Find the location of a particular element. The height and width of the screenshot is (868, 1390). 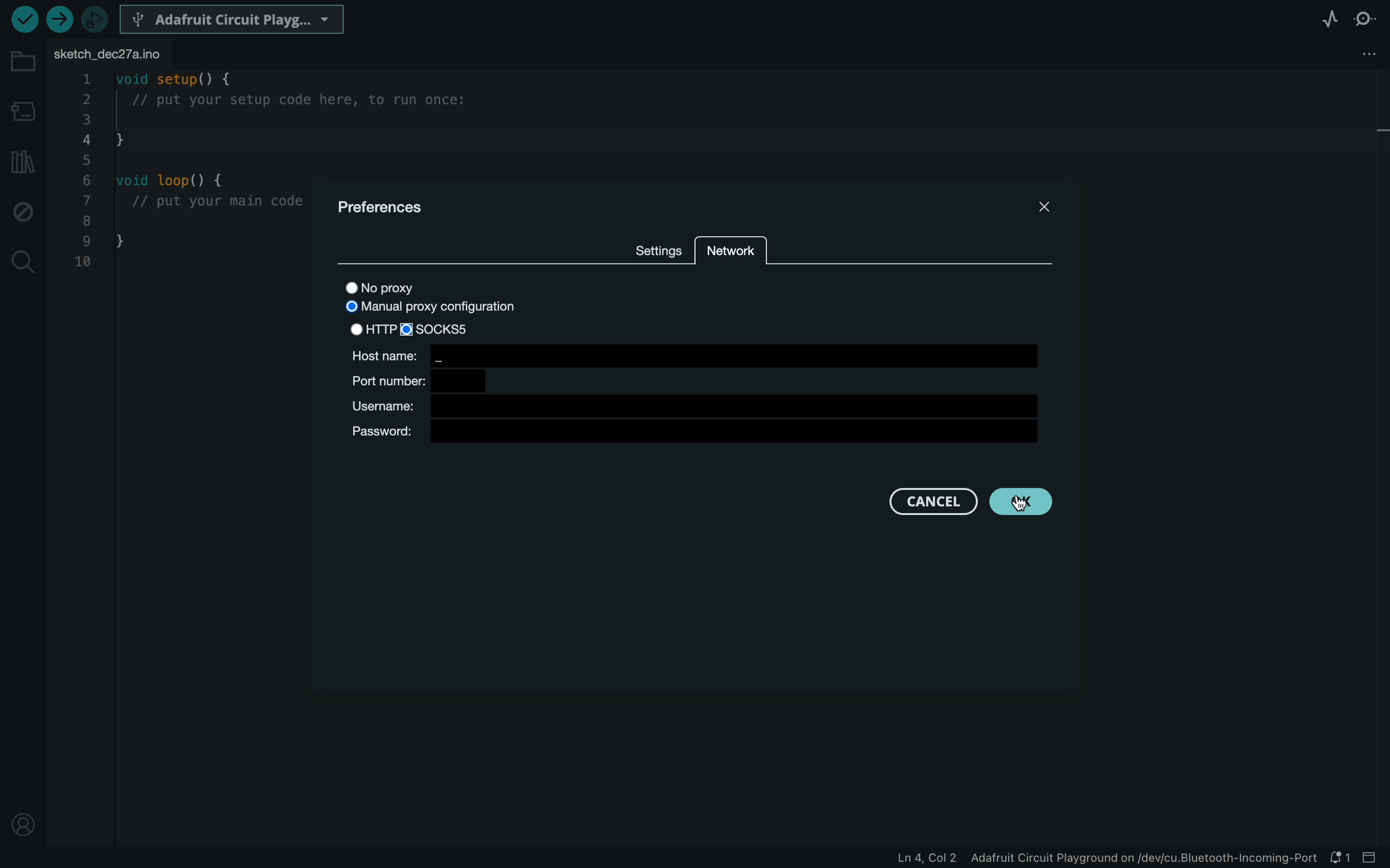

password is located at coordinates (701, 433).